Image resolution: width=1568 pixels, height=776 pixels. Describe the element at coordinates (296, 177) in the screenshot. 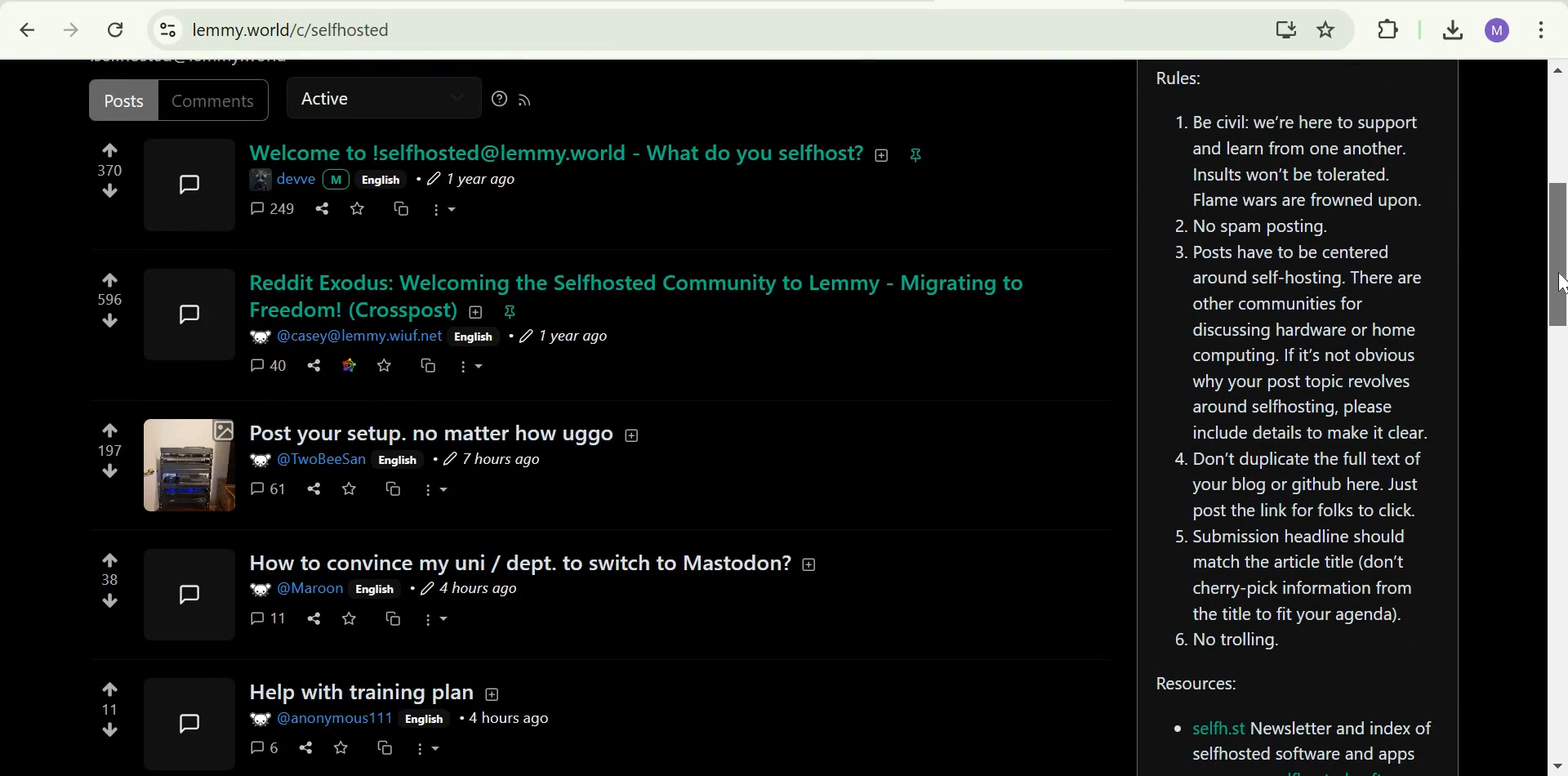

I see `name` at that location.